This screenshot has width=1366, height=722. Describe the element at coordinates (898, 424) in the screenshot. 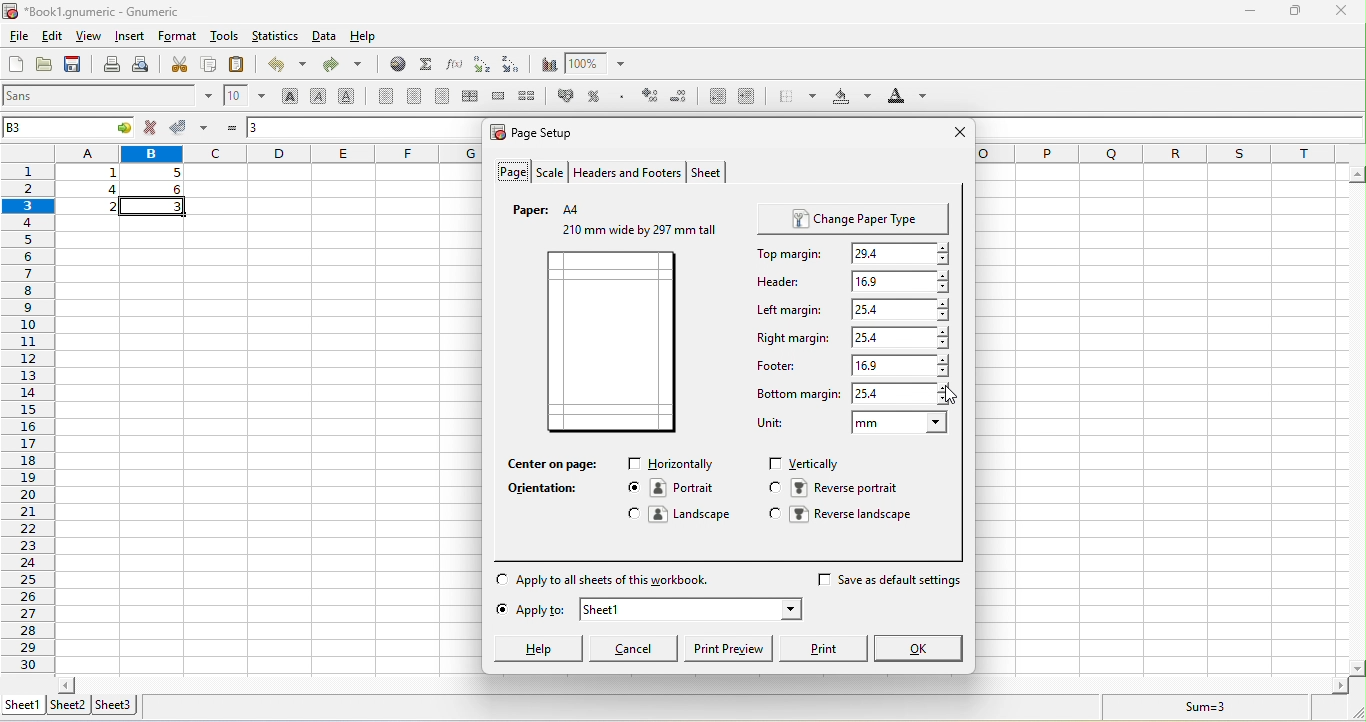

I see `mm` at that location.